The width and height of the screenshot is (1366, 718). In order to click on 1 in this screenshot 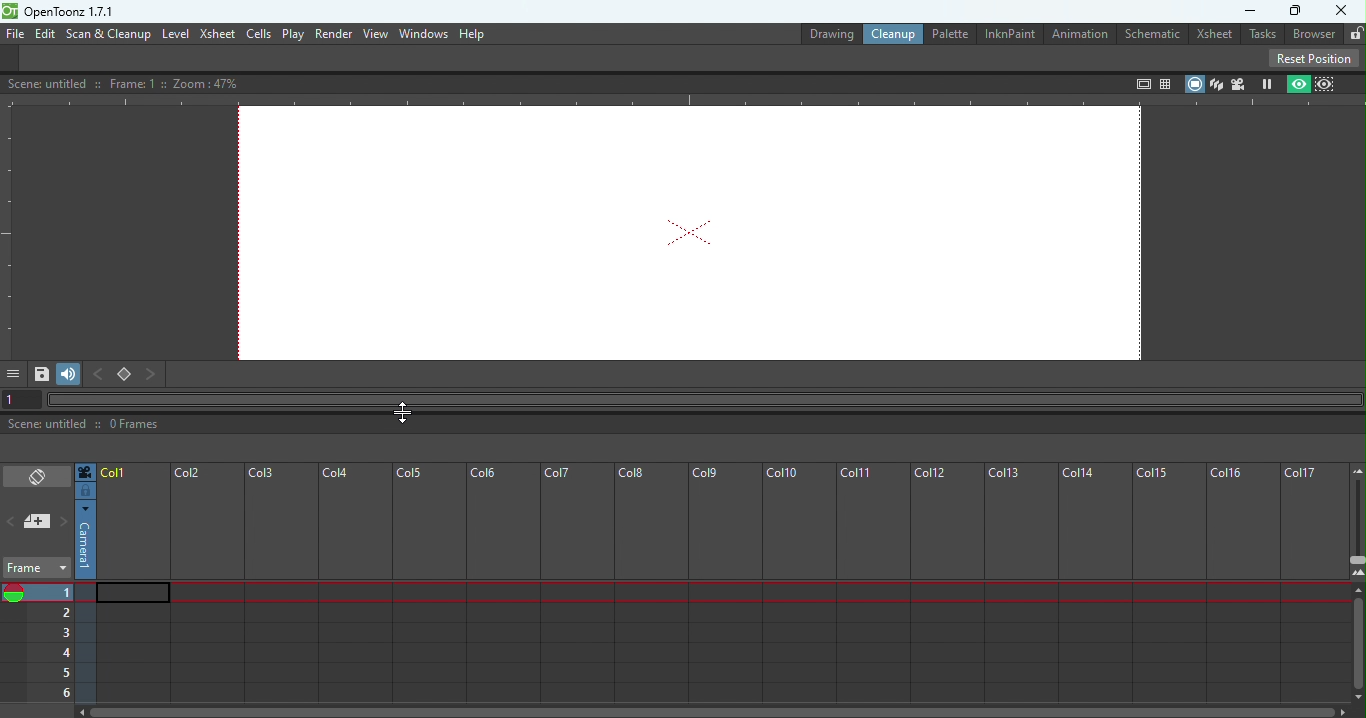, I will do `click(15, 398)`.